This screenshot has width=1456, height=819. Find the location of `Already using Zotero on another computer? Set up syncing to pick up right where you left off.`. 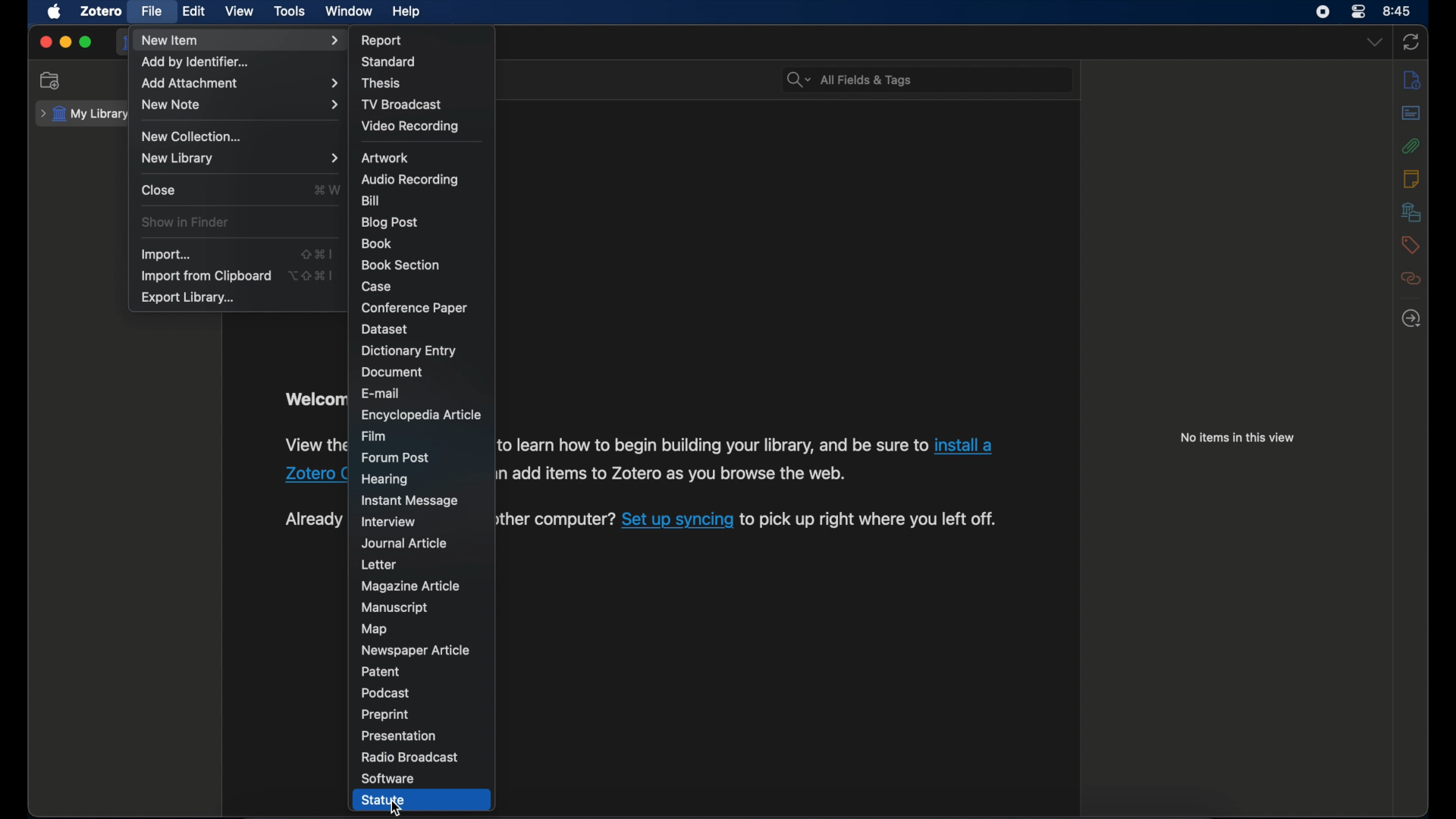

Already using Zotero on another computer? Set up syncing to pick up right where you left off. is located at coordinates (558, 522).